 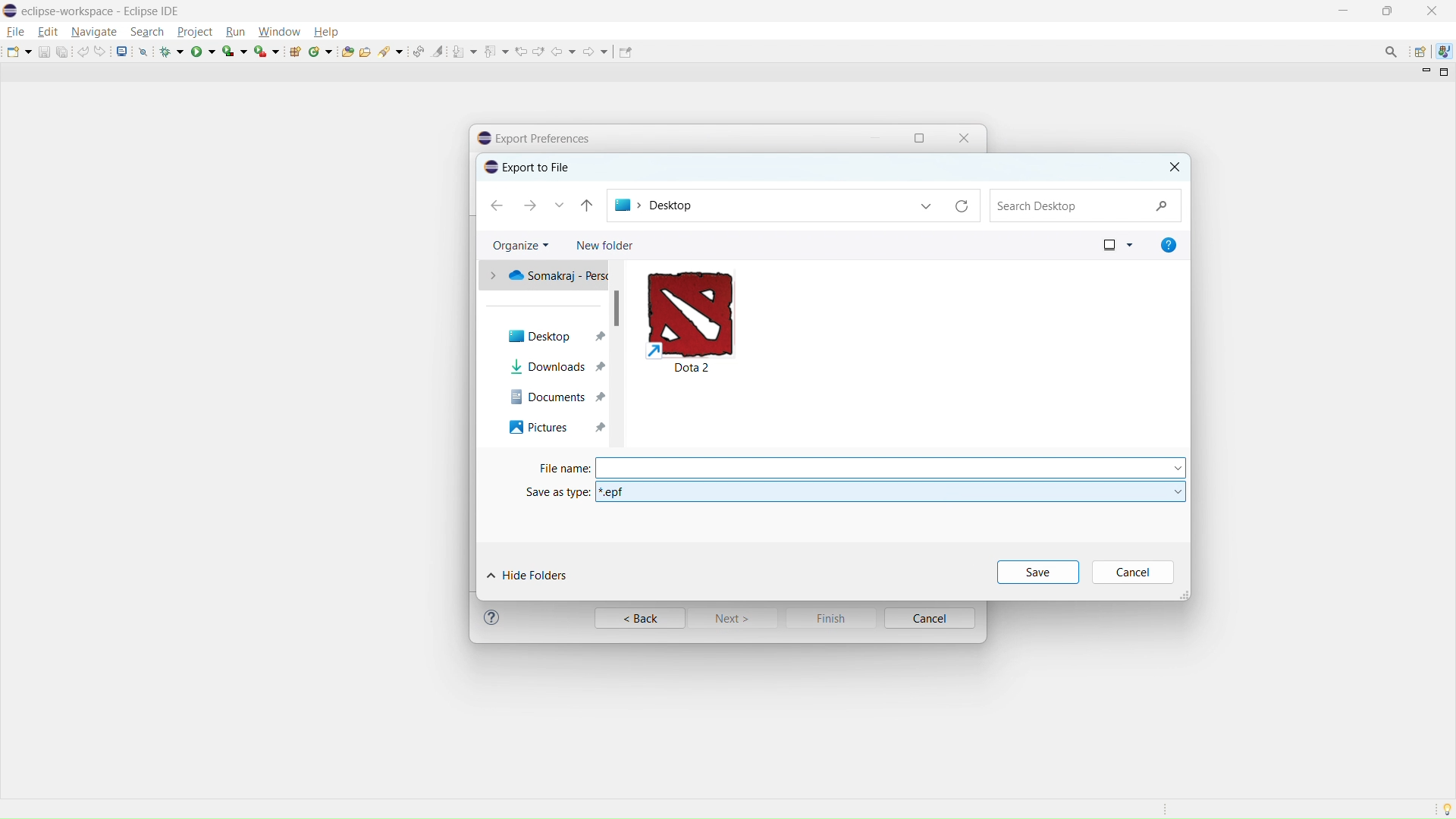 What do you see at coordinates (596, 52) in the screenshot?
I see `forward` at bounding box center [596, 52].